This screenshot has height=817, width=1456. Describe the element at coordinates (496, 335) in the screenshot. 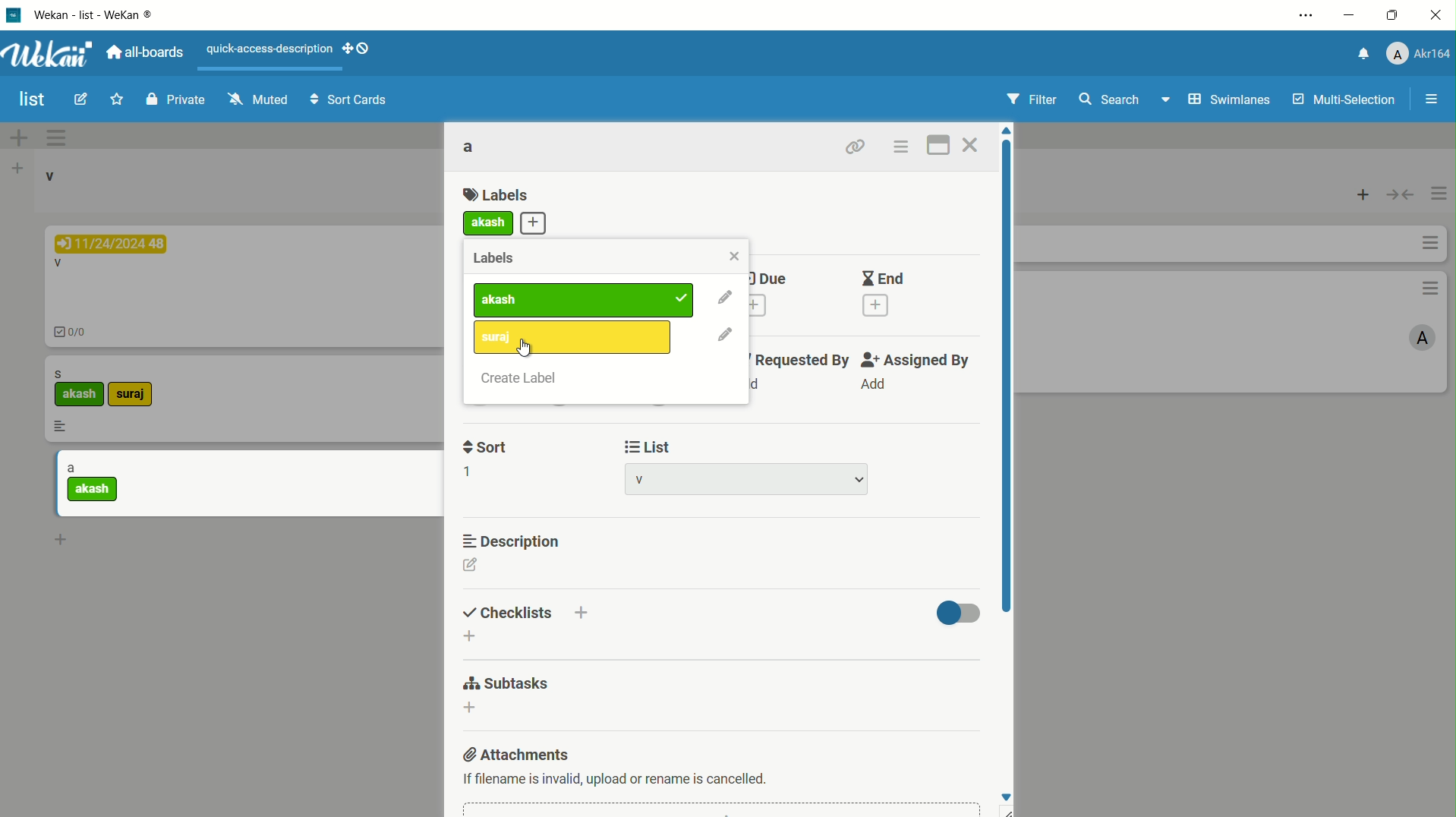

I see `suraj` at that location.